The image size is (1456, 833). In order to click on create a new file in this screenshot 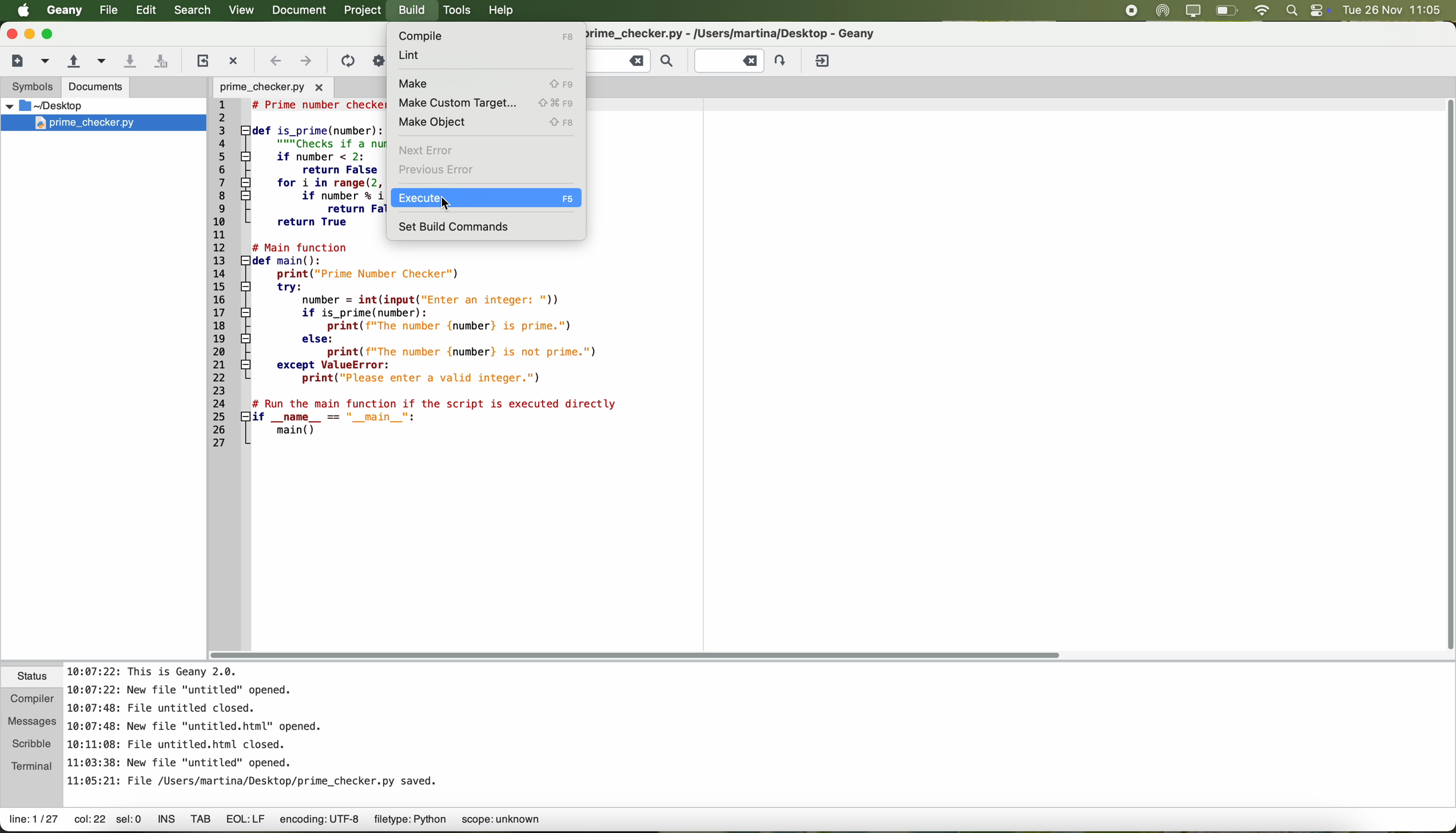, I will do `click(17, 61)`.